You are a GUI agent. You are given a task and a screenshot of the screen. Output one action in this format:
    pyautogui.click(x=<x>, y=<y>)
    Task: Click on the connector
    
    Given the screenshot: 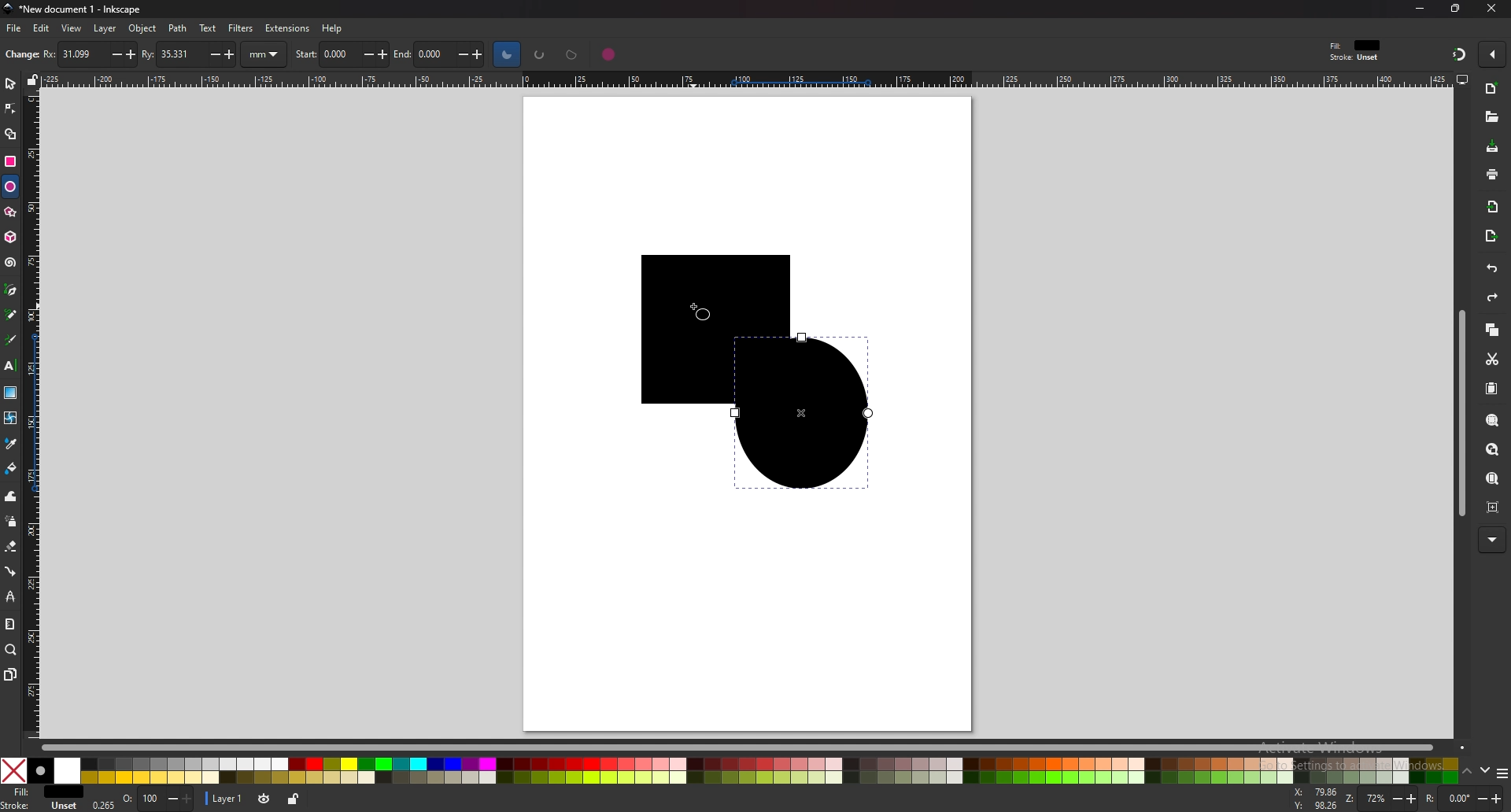 What is the action you would take?
    pyautogui.click(x=12, y=570)
    